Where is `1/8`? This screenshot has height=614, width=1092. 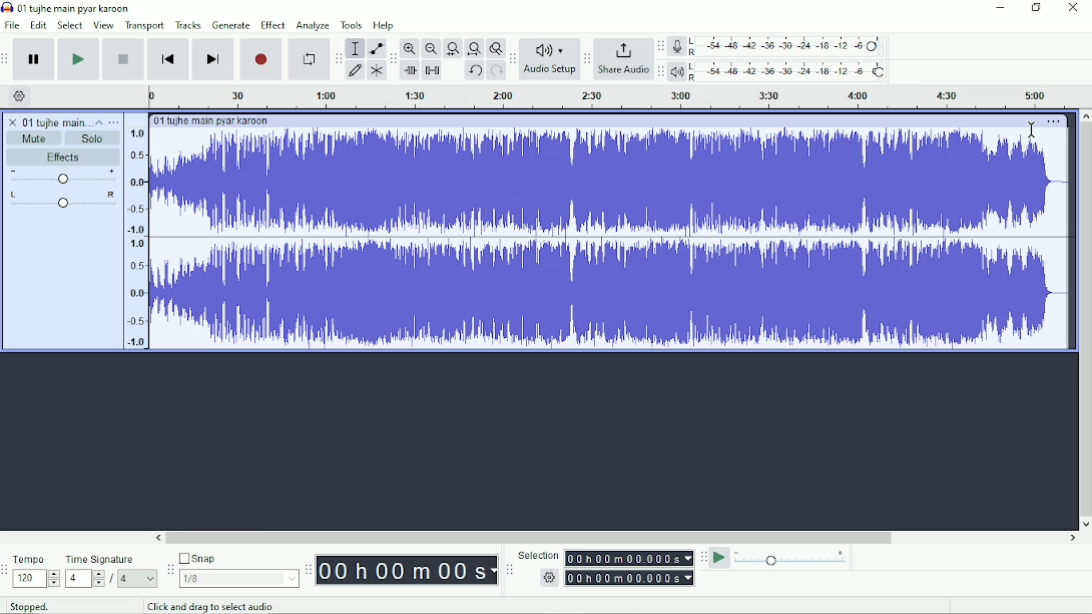 1/8 is located at coordinates (241, 578).